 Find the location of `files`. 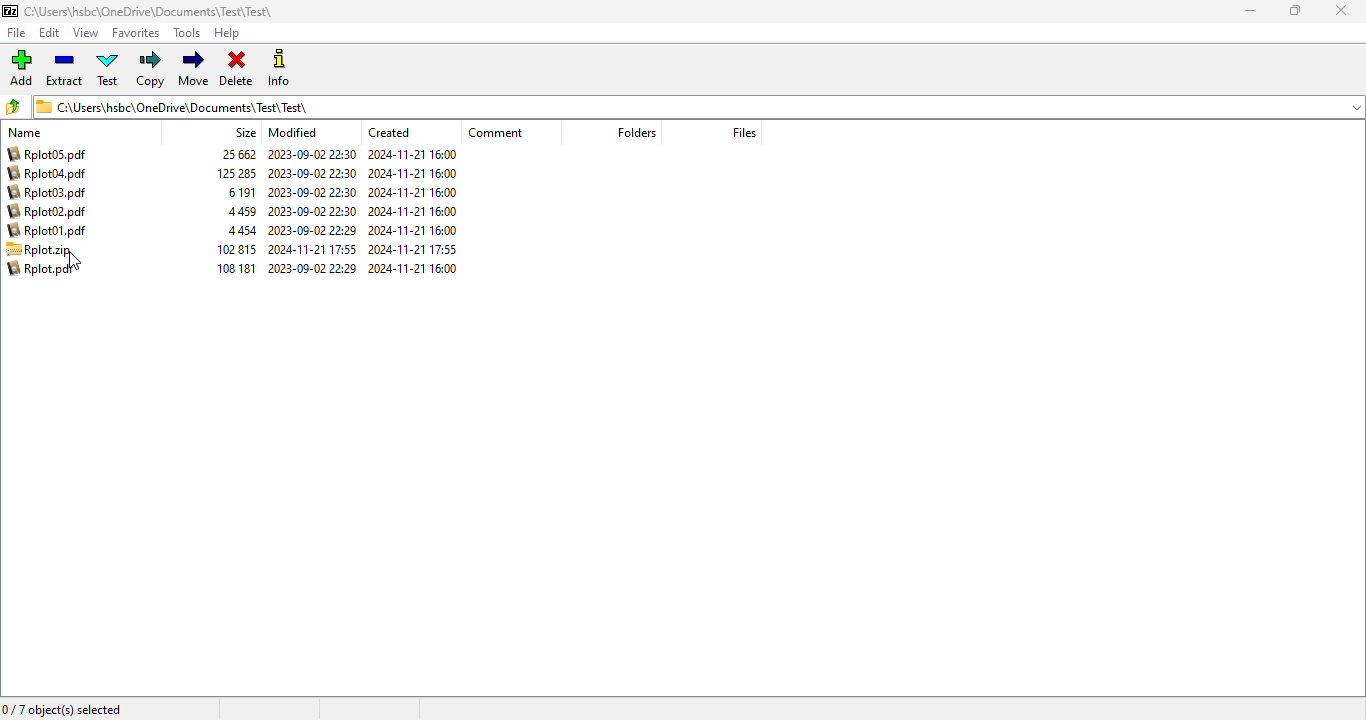

files is located at coordinates (744, 132).